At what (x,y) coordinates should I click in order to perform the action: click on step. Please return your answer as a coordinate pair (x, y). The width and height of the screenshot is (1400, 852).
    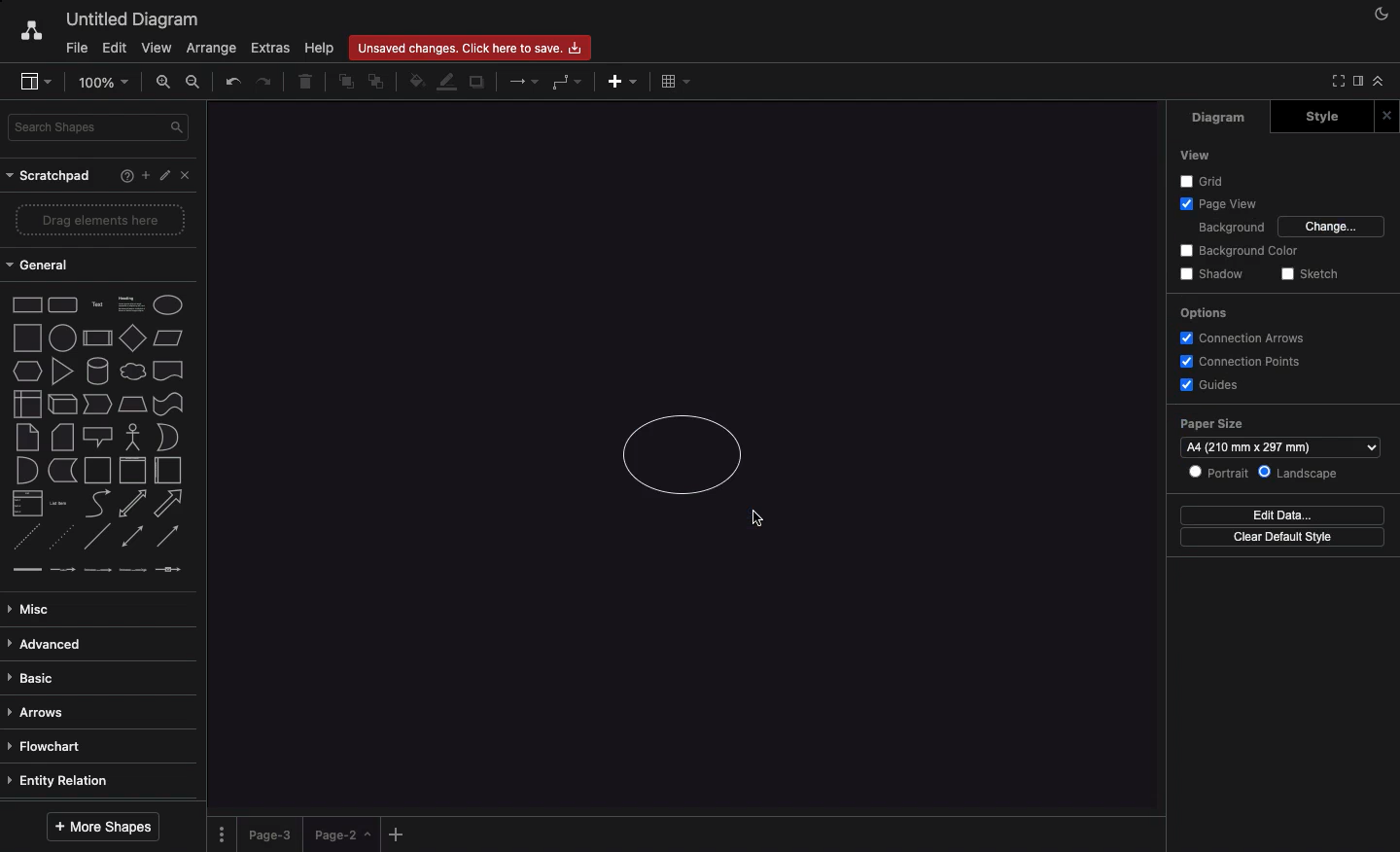
    Looking at the image, I should click on (97, 404).